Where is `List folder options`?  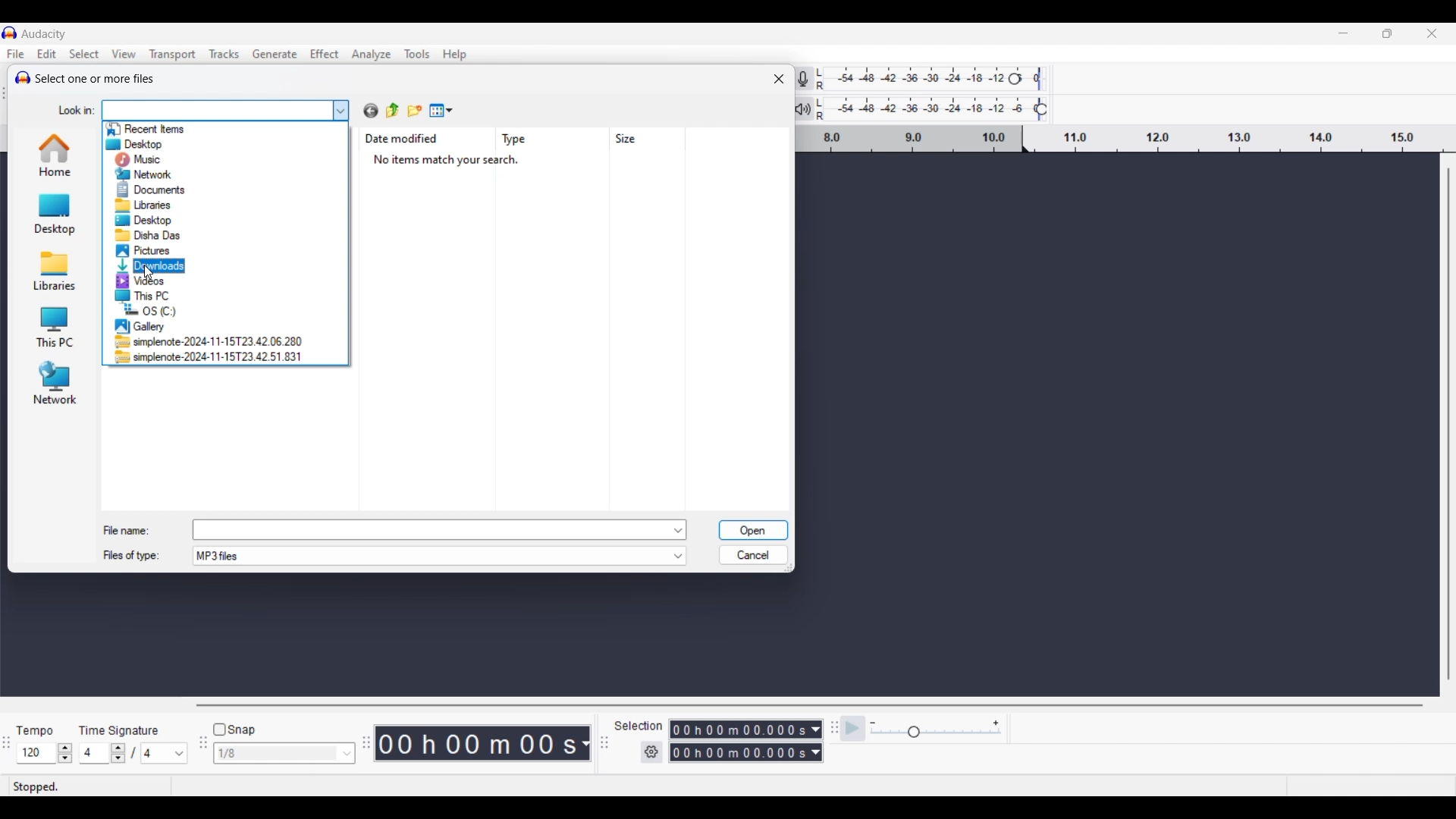 List folder options is located at coordinates (341, 108).